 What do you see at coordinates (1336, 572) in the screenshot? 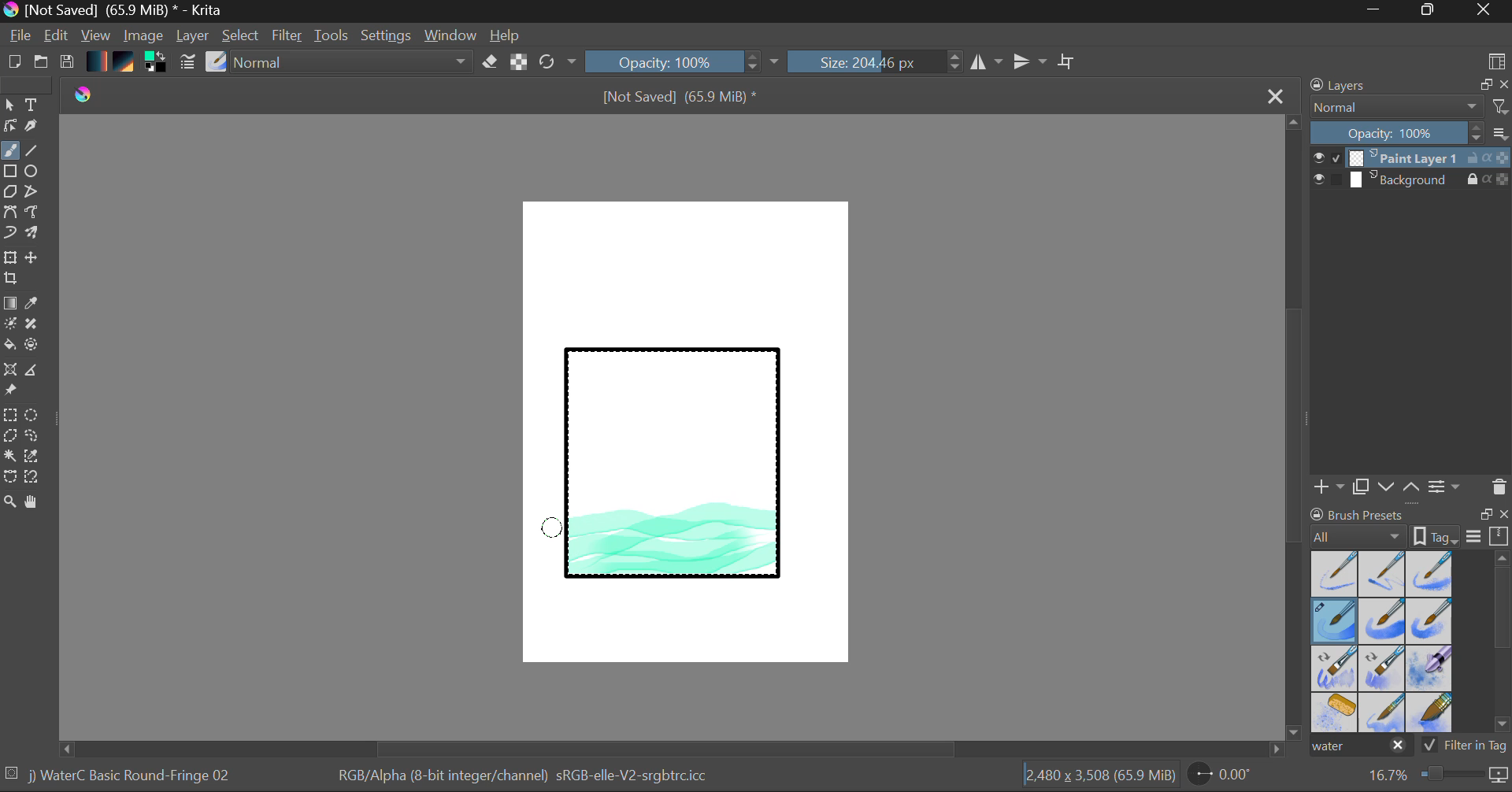
I see `Water C - Dry` at bounding box center [1336, 572].